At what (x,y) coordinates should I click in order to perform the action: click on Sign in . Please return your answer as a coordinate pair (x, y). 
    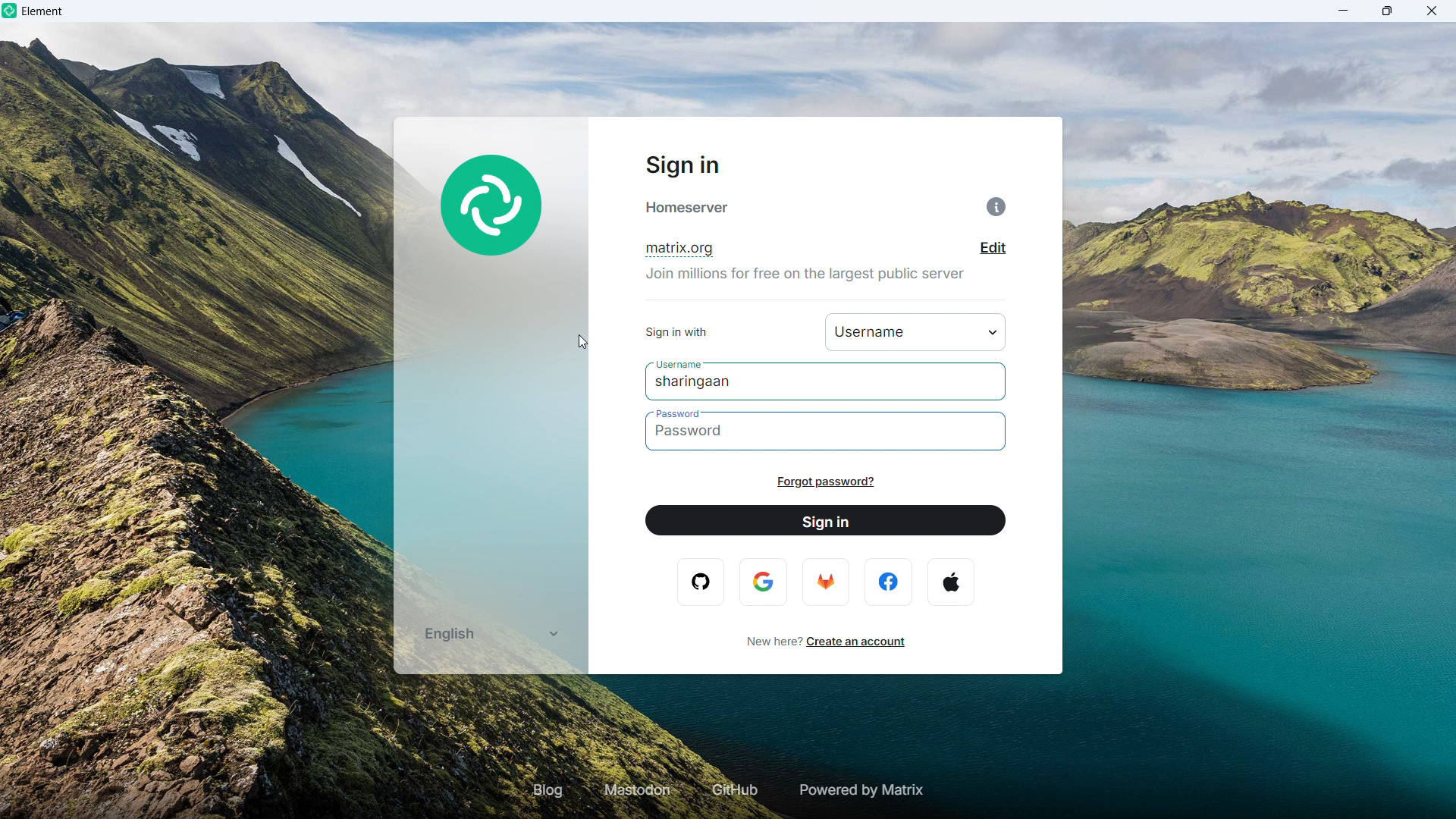
    Looking at the image, I should click on (826, 521).